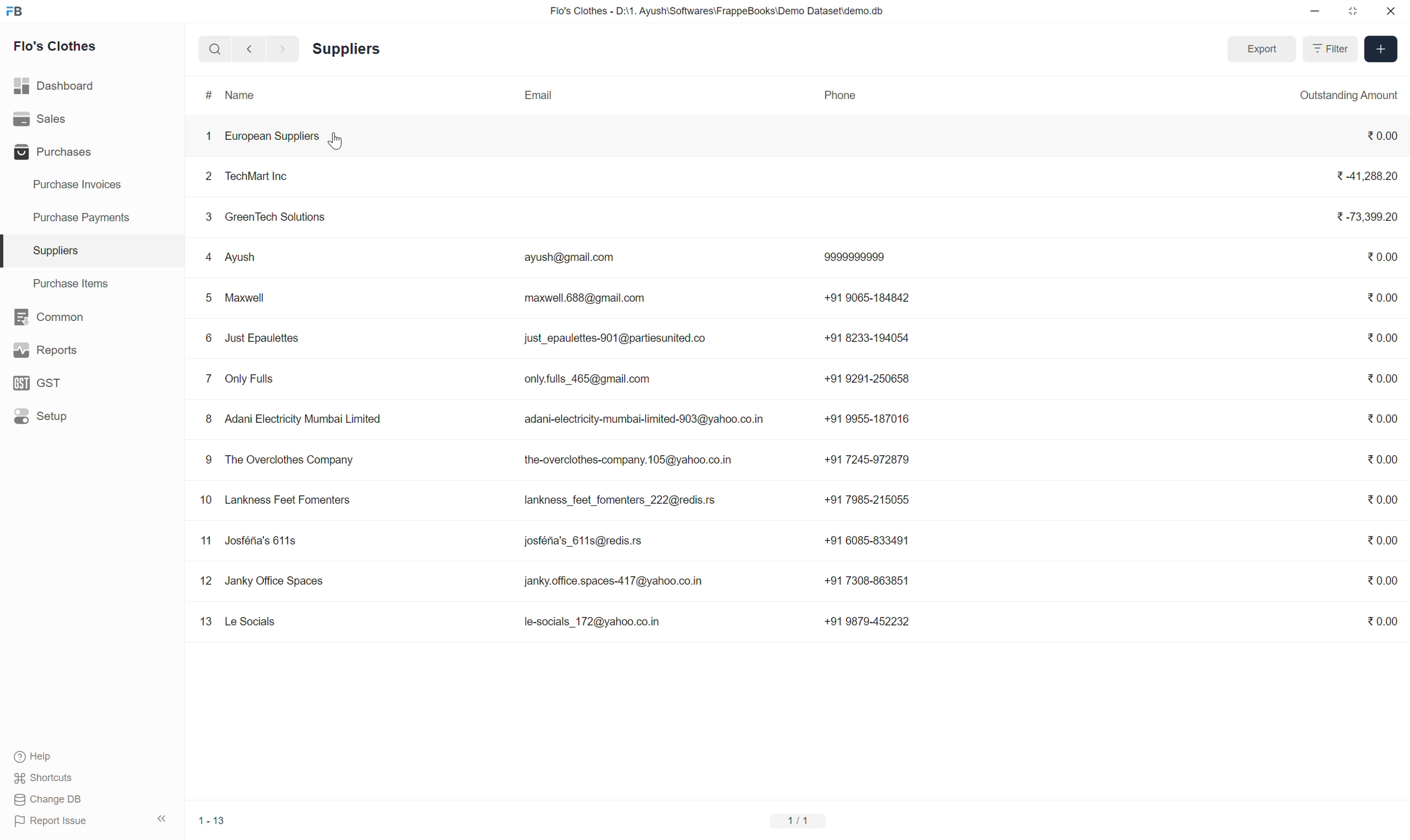  What do you see at coordinates (858, 417) in the screenshot?
I see `+91 9955-187016` at bounding box center [858, 417].